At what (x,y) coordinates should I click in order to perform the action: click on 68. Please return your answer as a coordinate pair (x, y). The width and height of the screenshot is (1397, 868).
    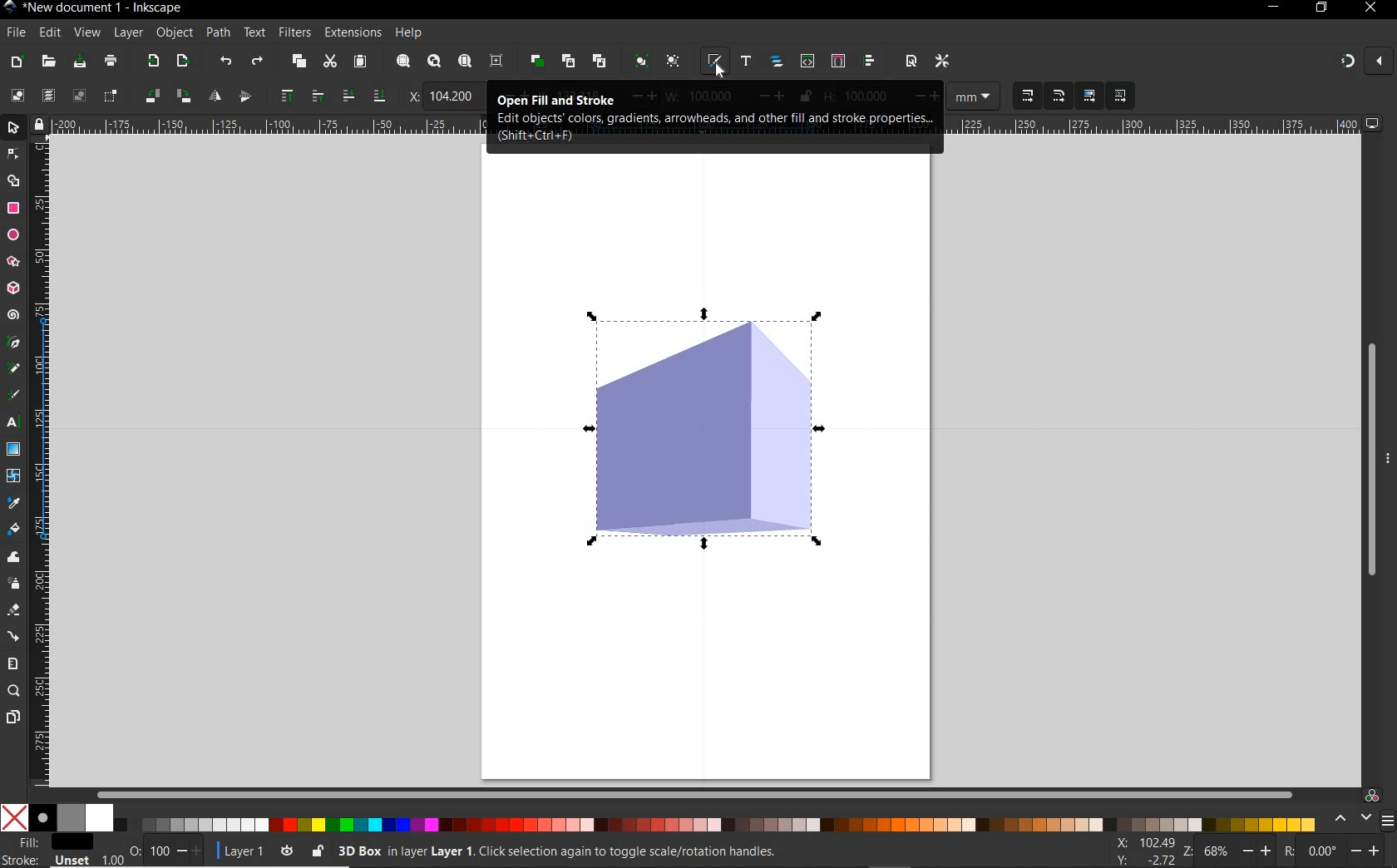
    Looking at the image, I should click on (1217, 851).